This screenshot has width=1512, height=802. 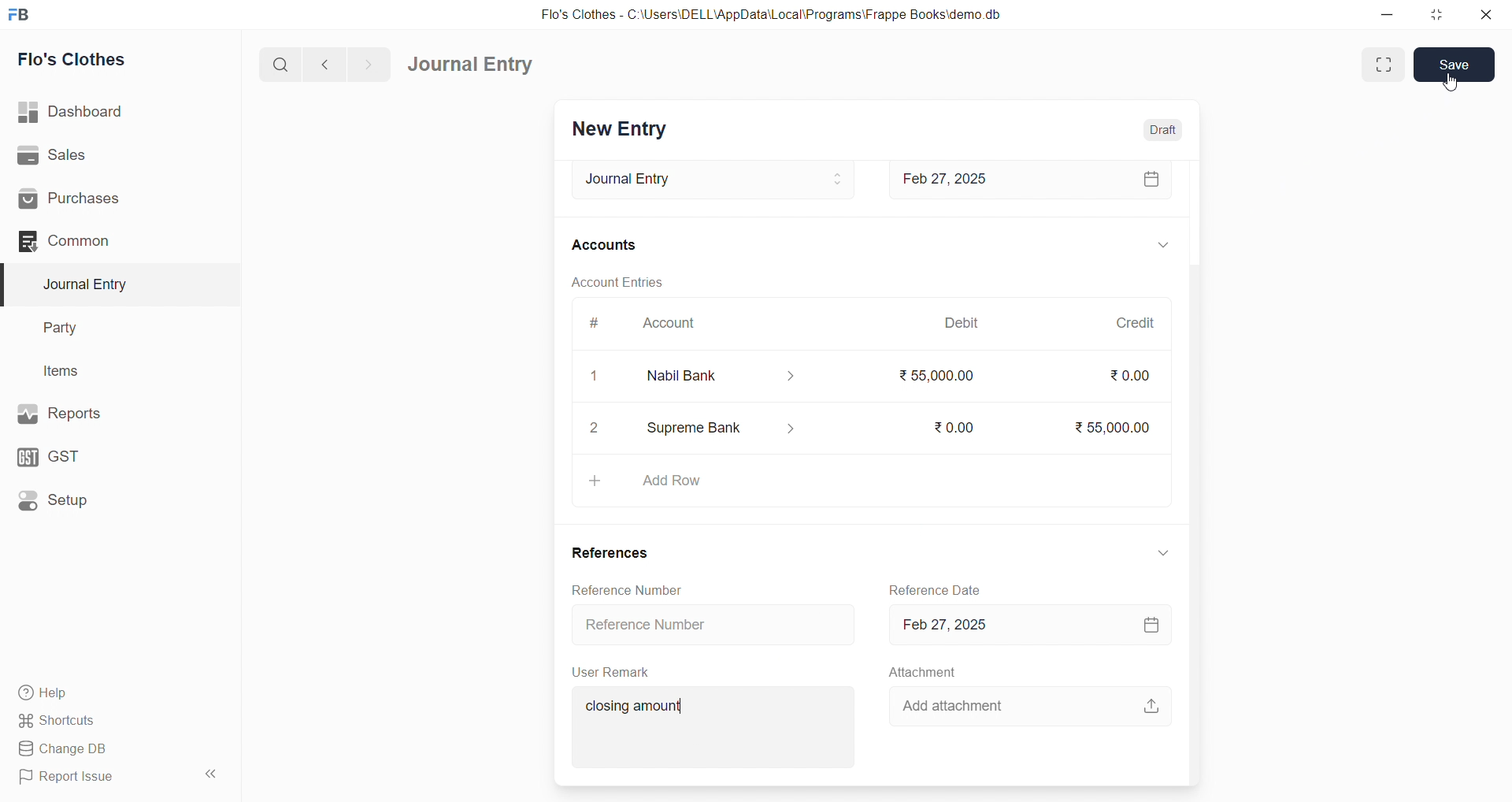 What do you see at coordinates (9, 284) in the screenshot?
I see `selected` at bounding box center [9, 284].